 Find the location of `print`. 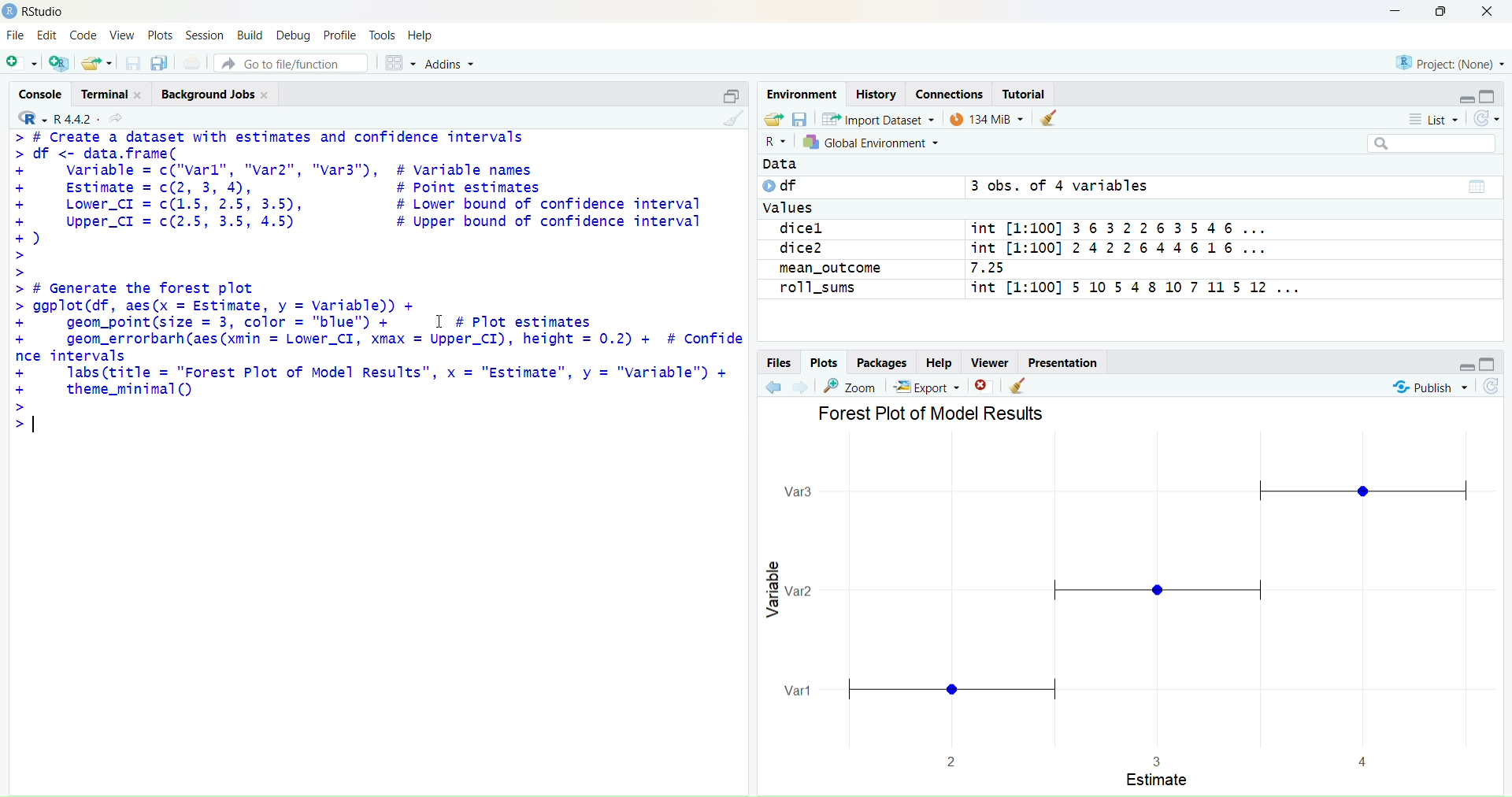

print is located at coordinates (191, 63).